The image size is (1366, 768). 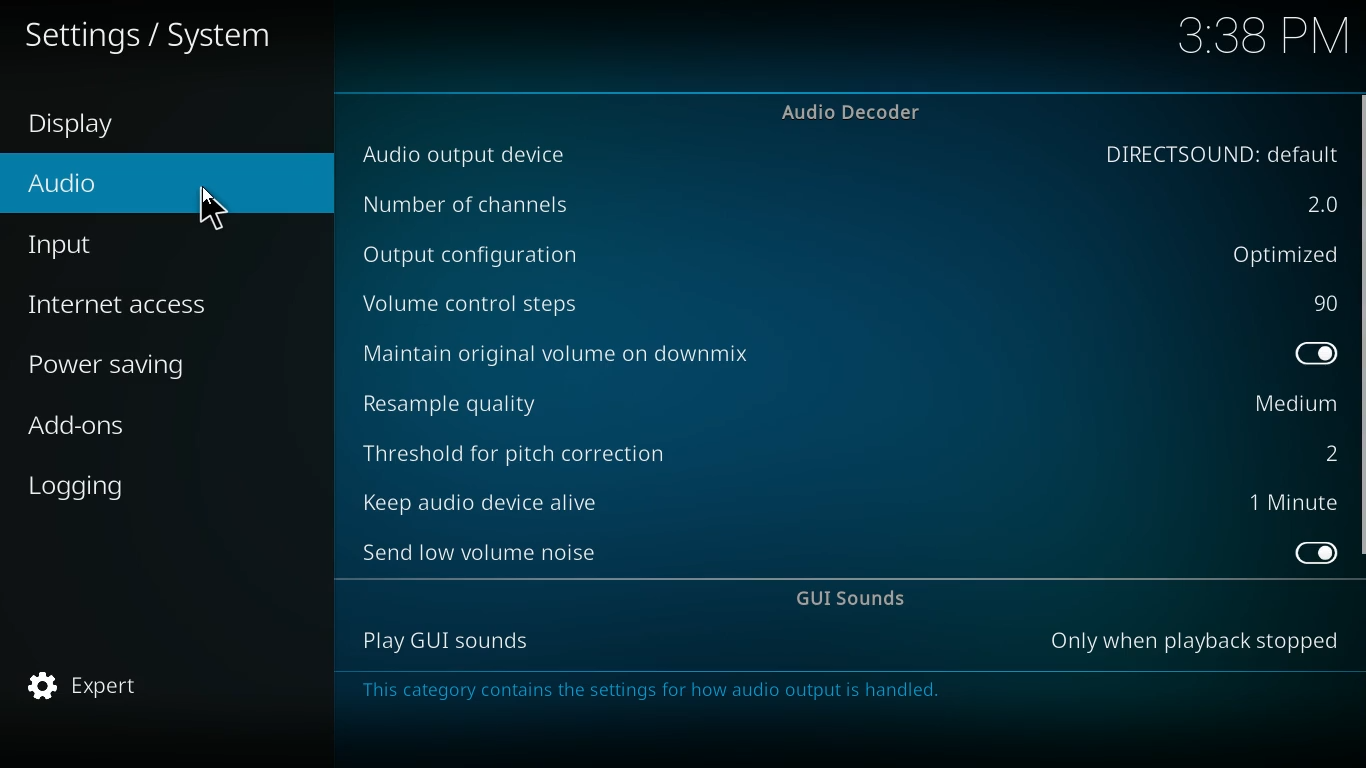 What do you see at coordinates (95, 127) in the screenshot?
I see `display` at bounding box center [95, 127].